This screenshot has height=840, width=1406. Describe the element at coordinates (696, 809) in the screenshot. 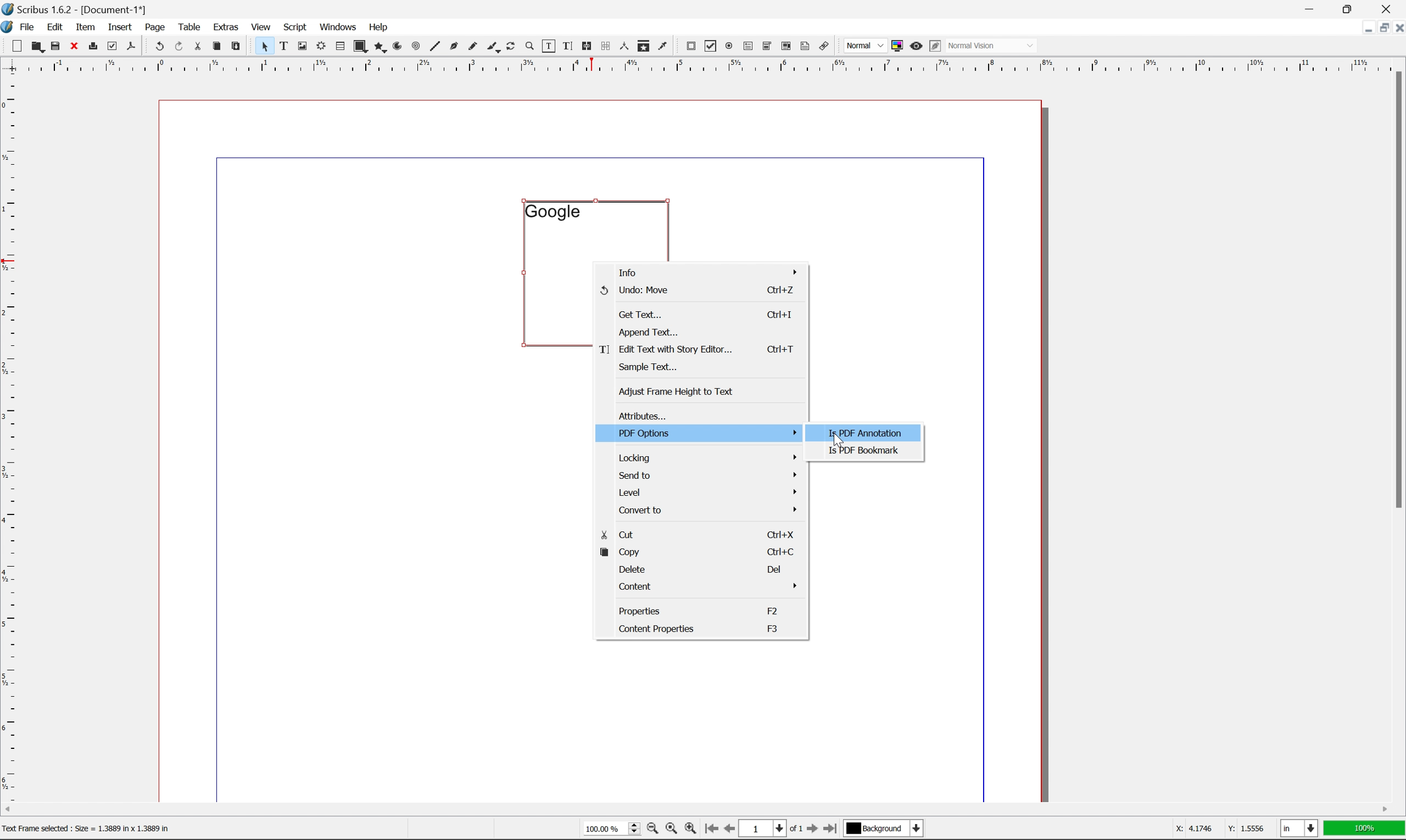

I see `scroll bar` at that location.